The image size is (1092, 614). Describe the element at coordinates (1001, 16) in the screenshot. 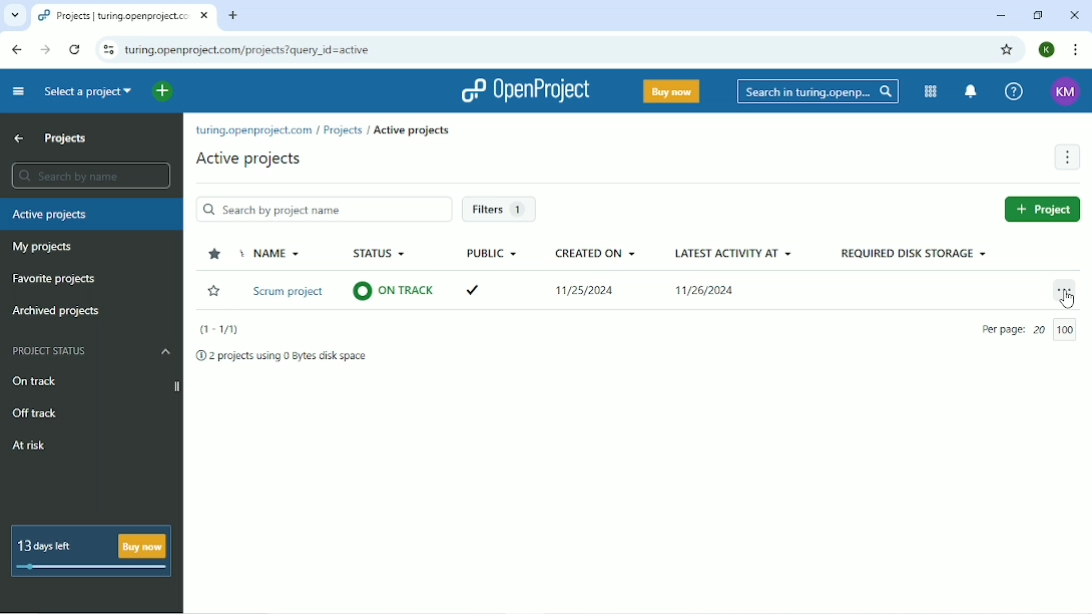

I see `Minimize` at that location.